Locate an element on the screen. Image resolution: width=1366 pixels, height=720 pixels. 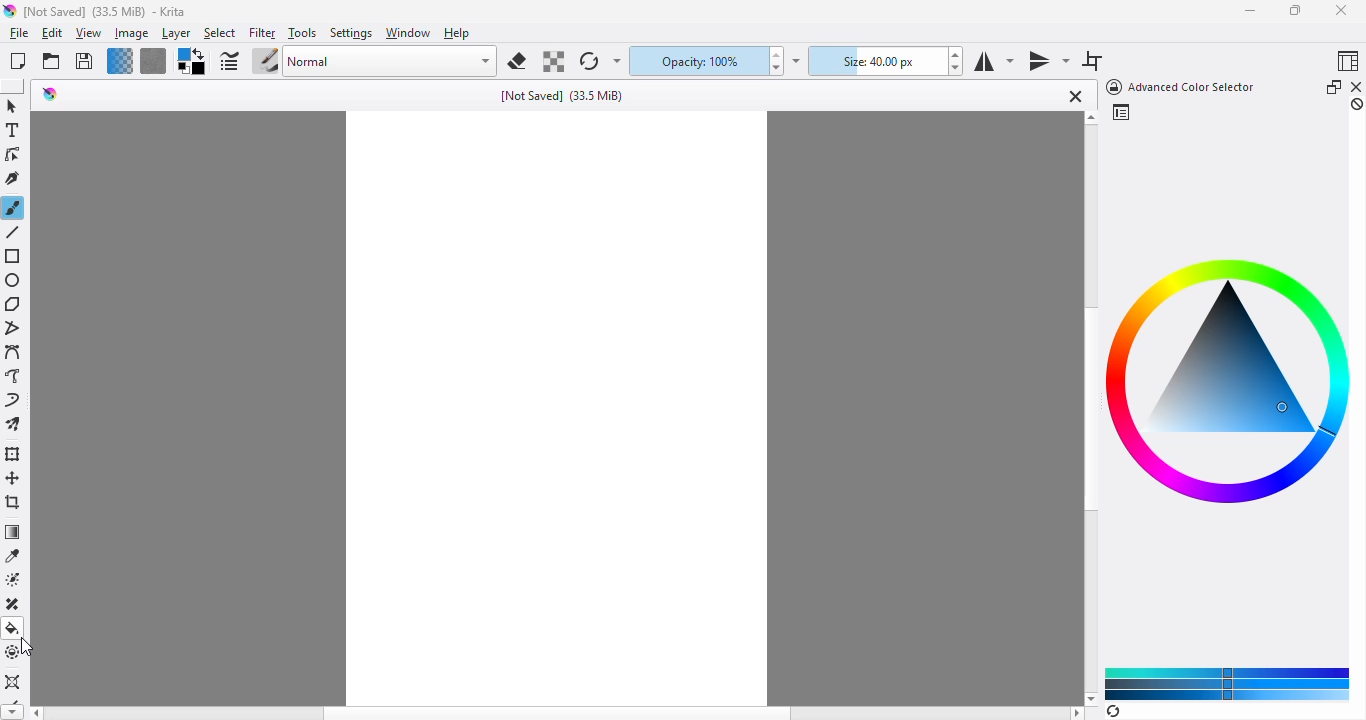
close is located at coordinates (1073, 96).